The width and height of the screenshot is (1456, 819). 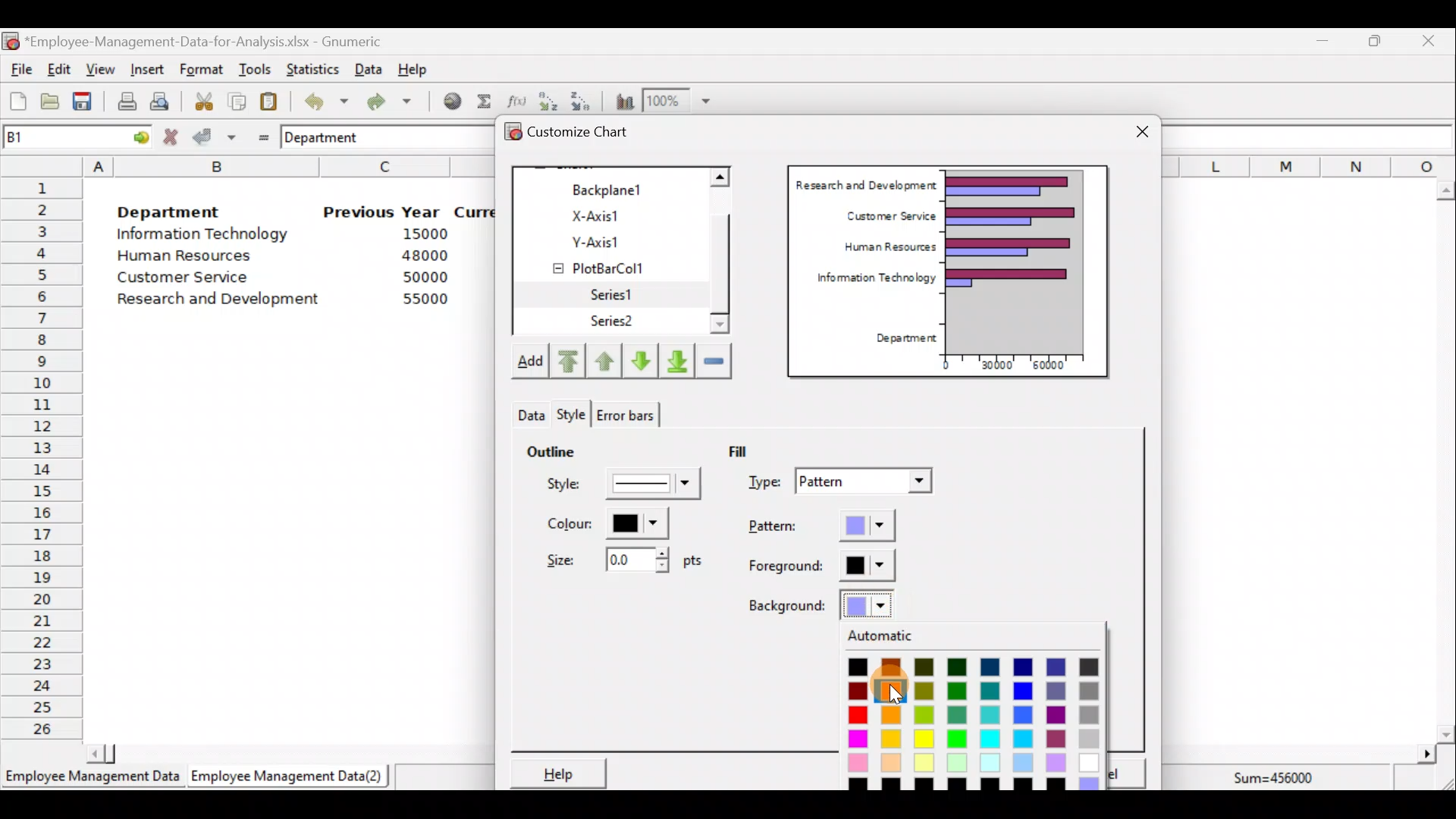 What do you see at coordinates (865, 183) in the screenshot?
I see `Research and Development` at bounding box center [865, 183].